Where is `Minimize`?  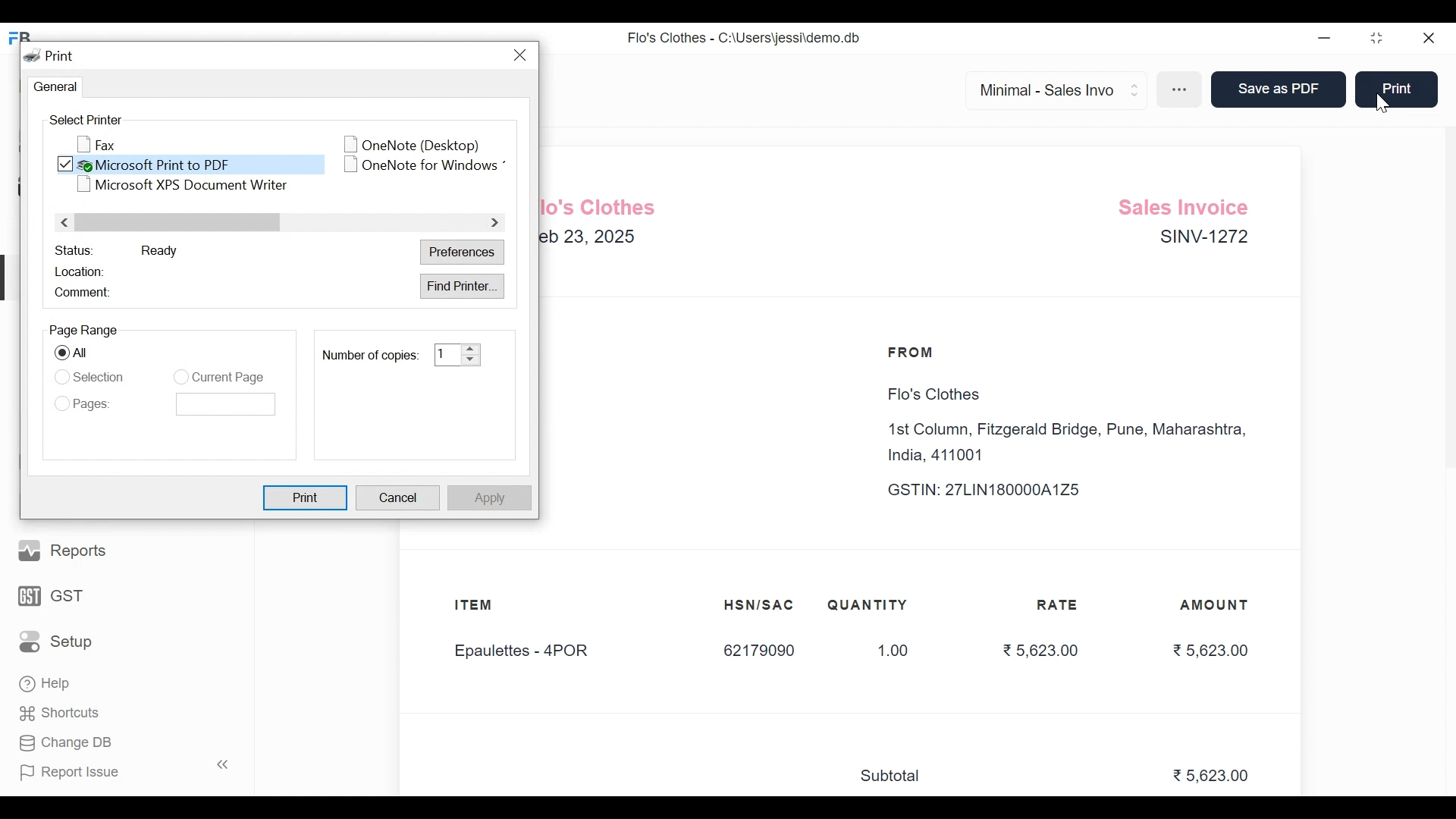
Minimize is located at coordinates (1325, 39).